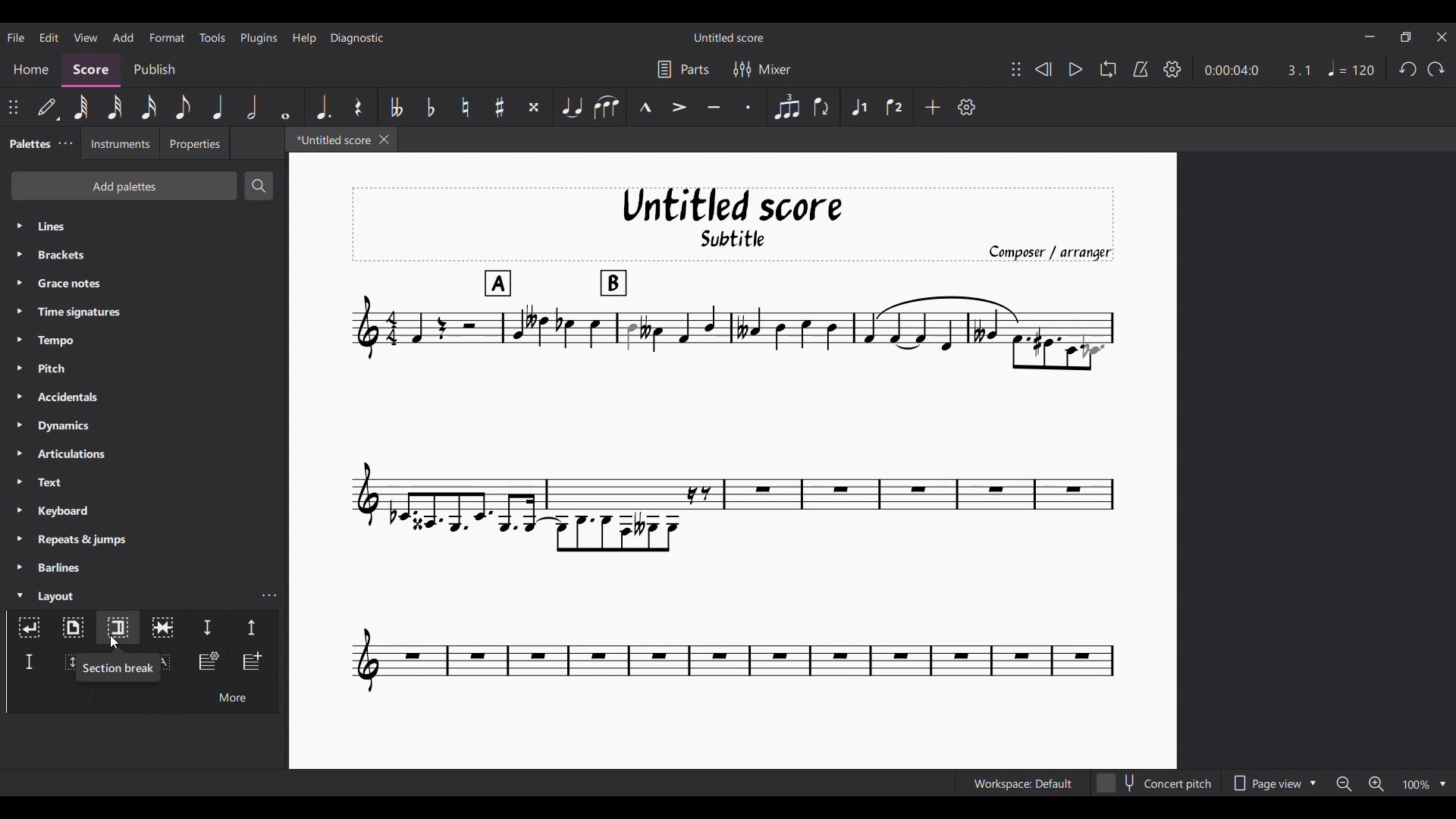 The height and width of the screenshot is (819, 1456). What do you see at coordinates (144, 226) in the screenshot?
I see `Lines` at bounding box center [144, 226].